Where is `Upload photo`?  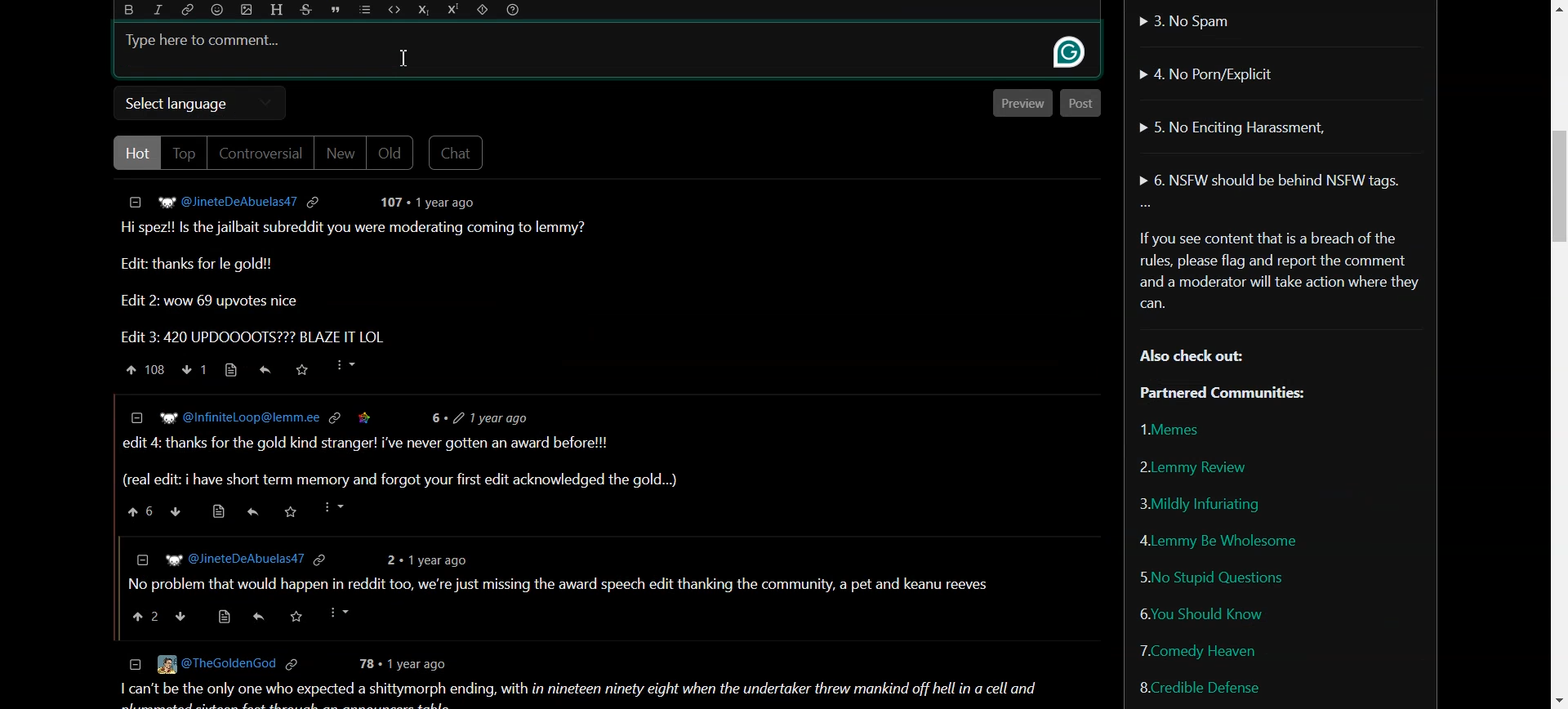 Upload photo is located at coordinates (247, 9).